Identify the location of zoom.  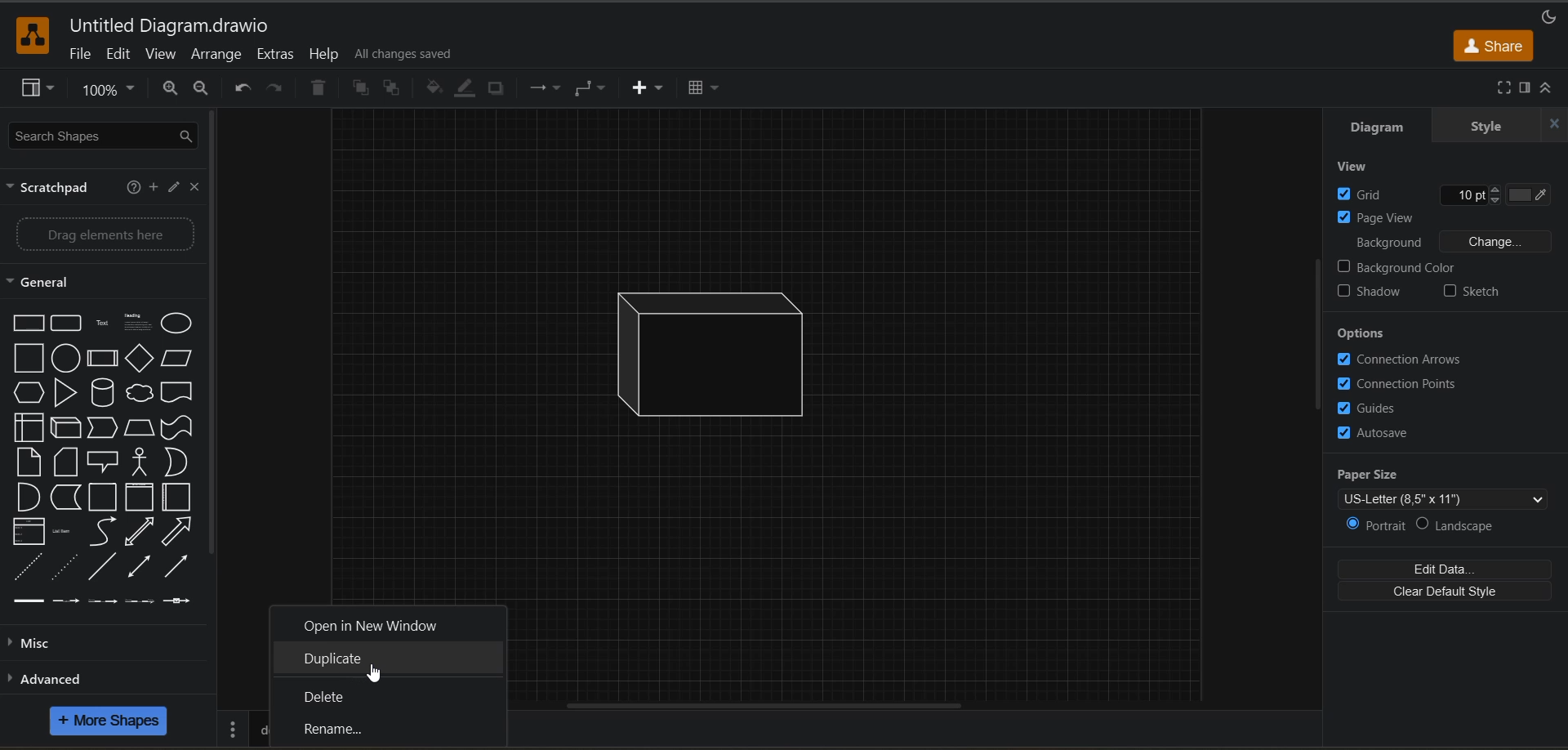
(107, 88).